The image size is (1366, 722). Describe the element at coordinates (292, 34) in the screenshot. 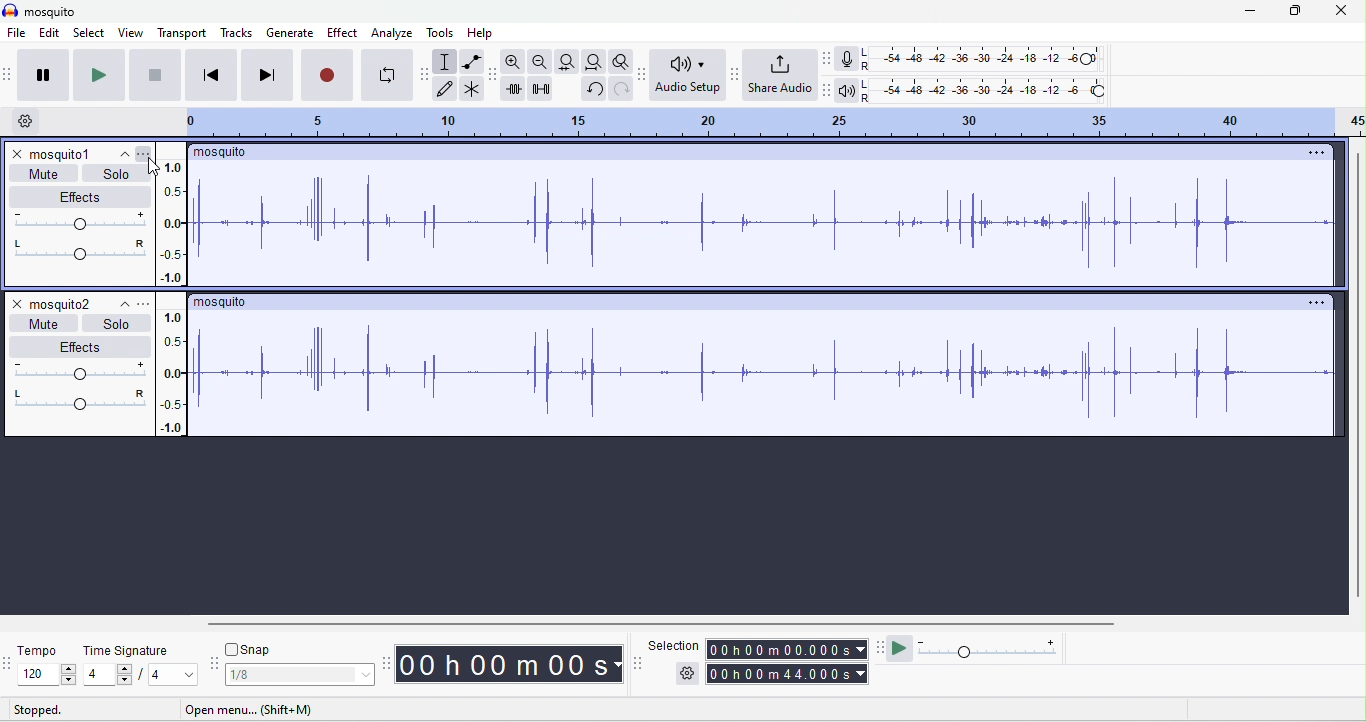

I see `generate` at that location.